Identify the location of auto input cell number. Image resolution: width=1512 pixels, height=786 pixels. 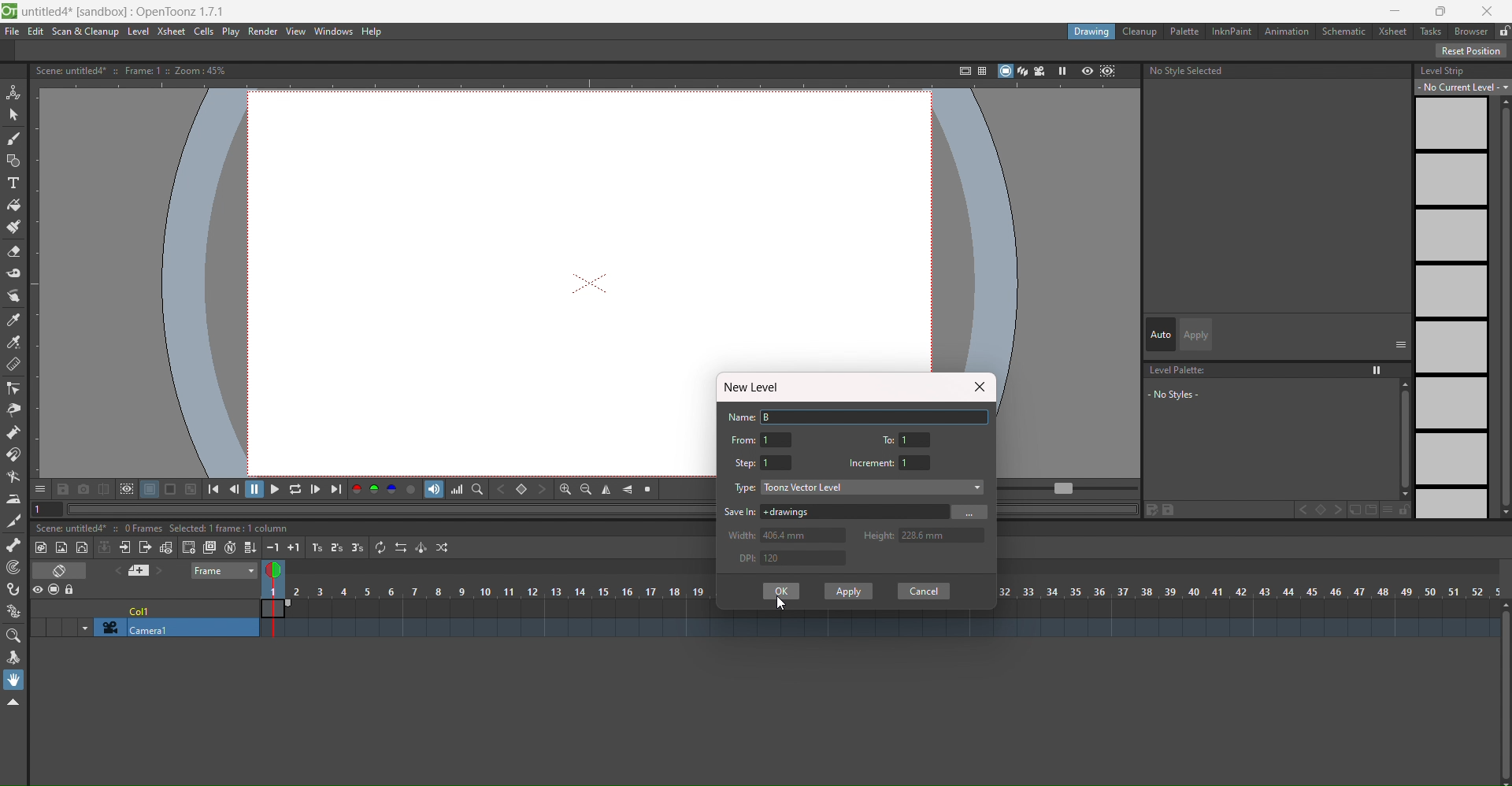
(230, 547).